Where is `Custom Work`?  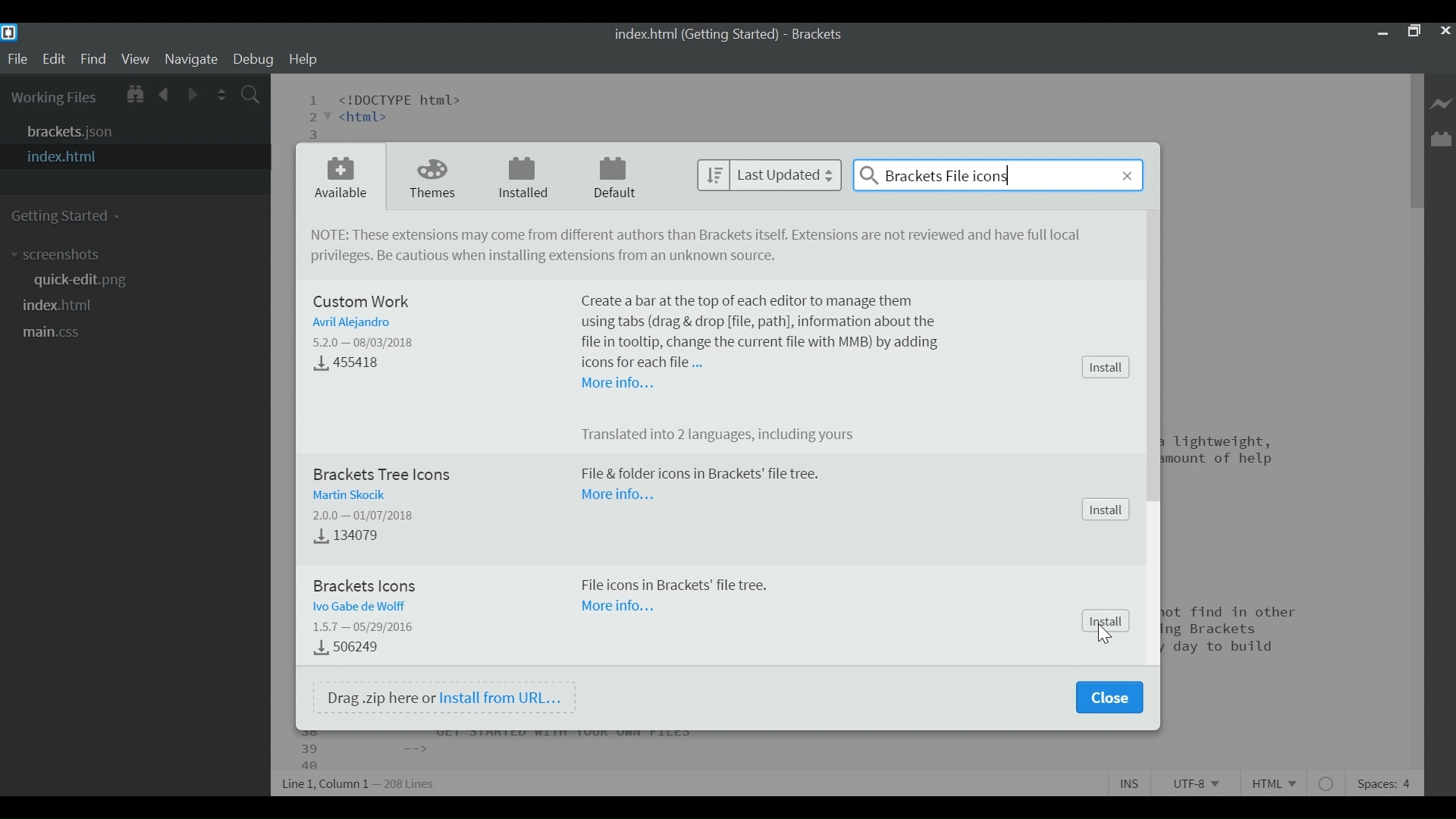 Custom Work is located at coordinates (365, 301).